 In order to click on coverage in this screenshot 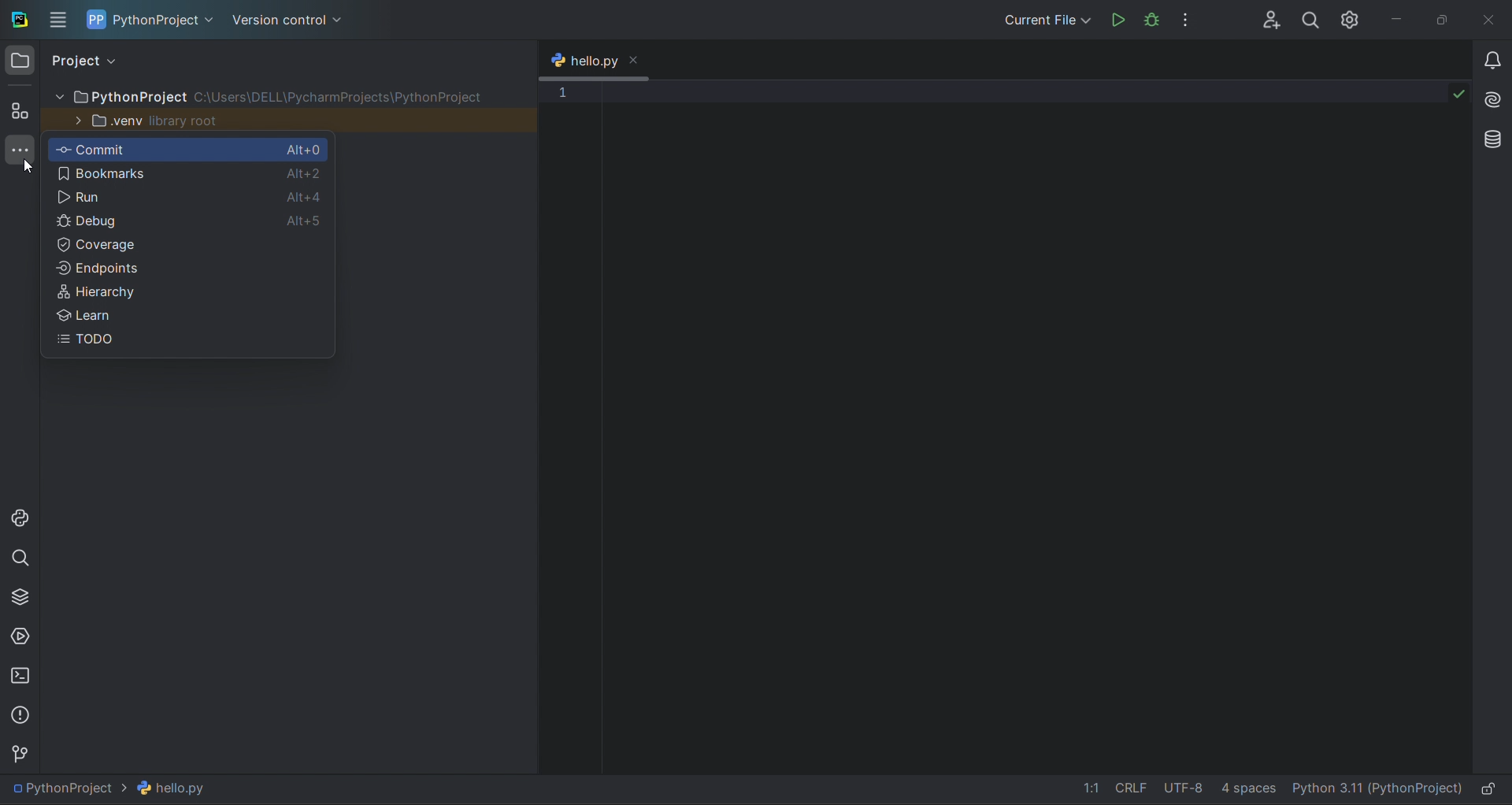, I will do `click(188, 243)`.